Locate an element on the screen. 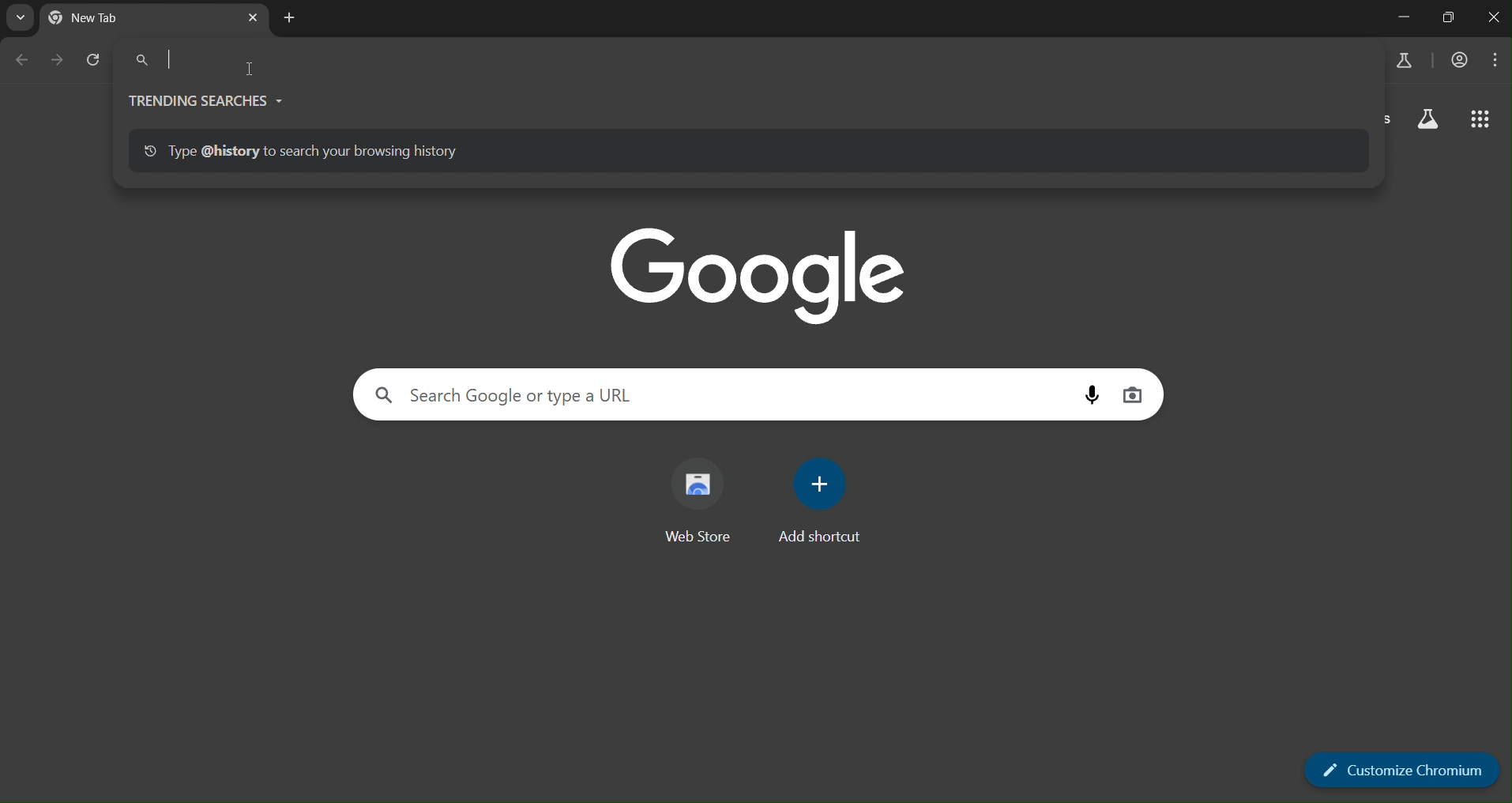  minimize is located at coordinates (1401, 17).